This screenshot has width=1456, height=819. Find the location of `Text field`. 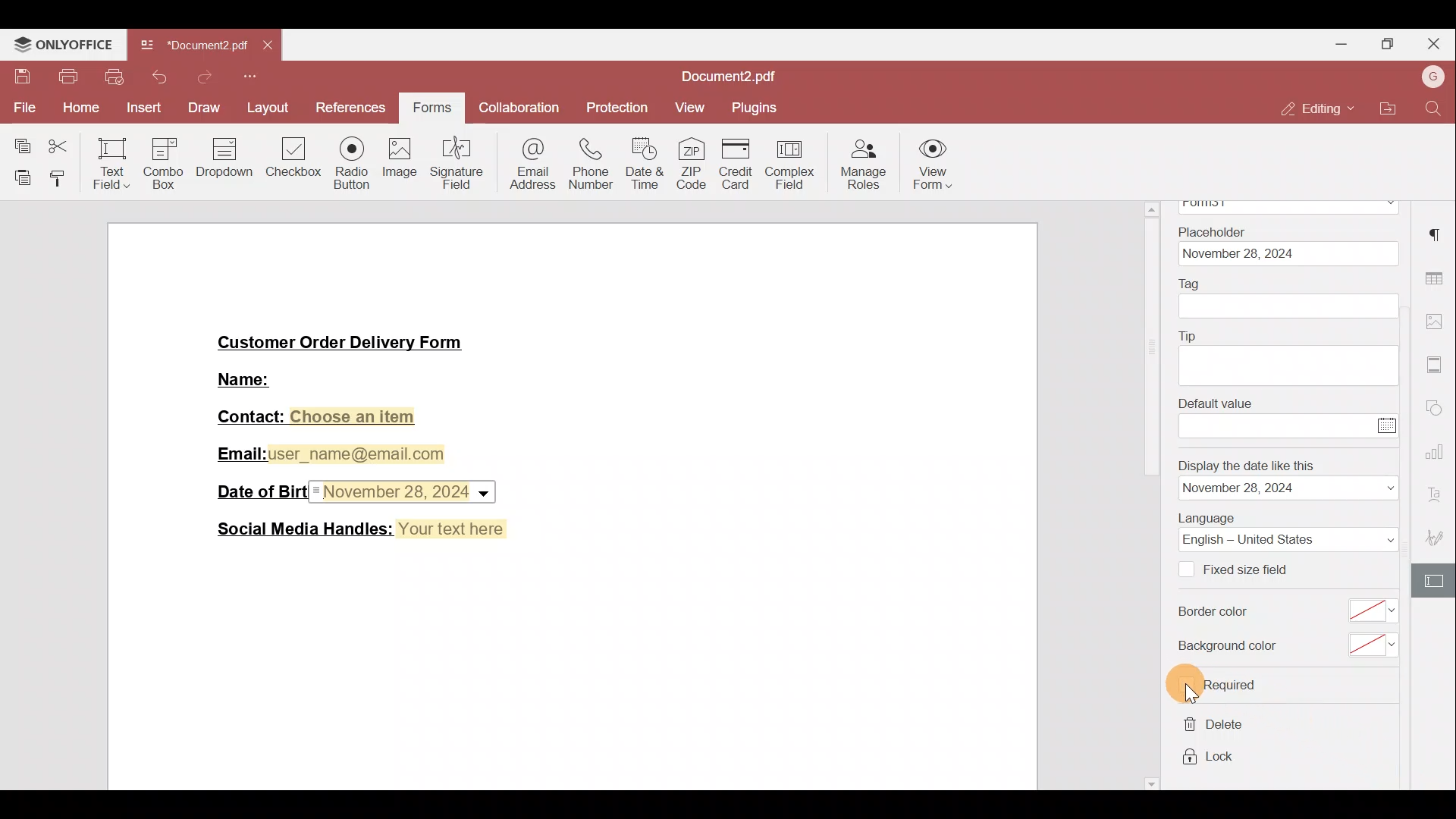

Text field is located at coordinates (110, 163).